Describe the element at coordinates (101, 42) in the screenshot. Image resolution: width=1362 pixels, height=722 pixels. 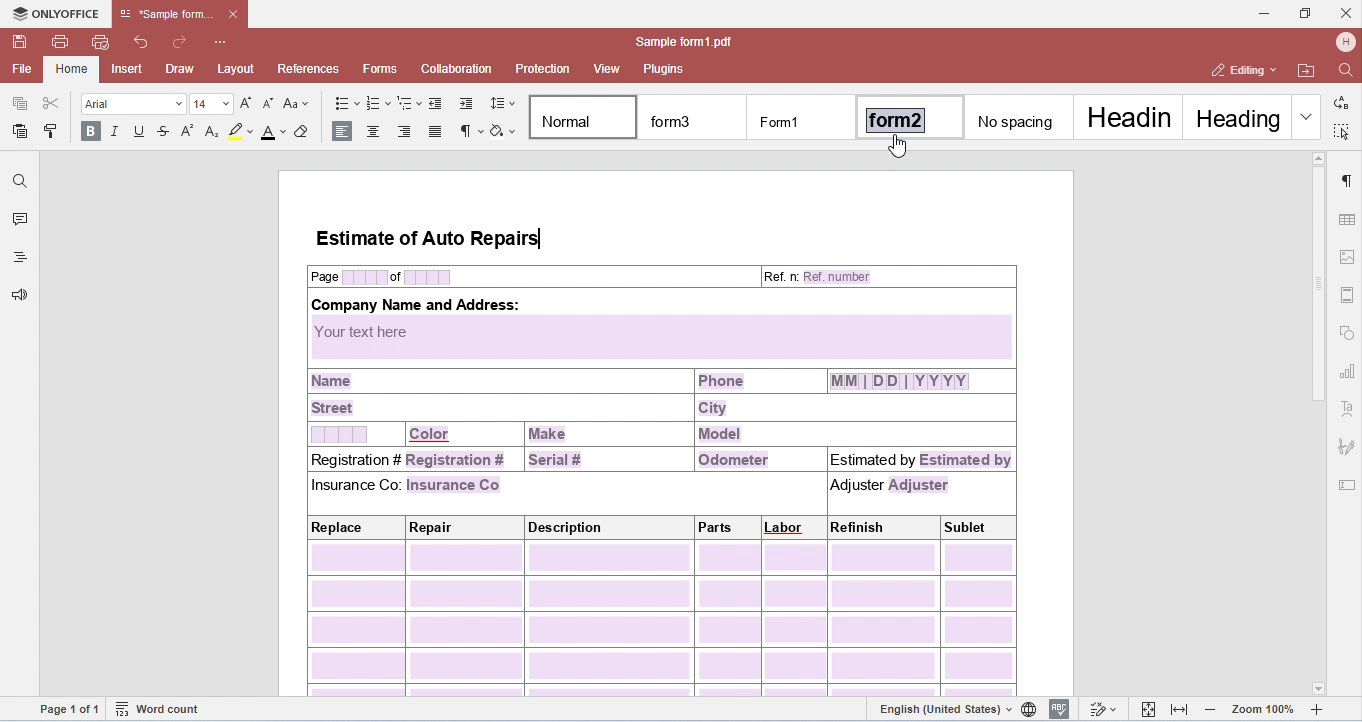
I see `print preview` at that location.